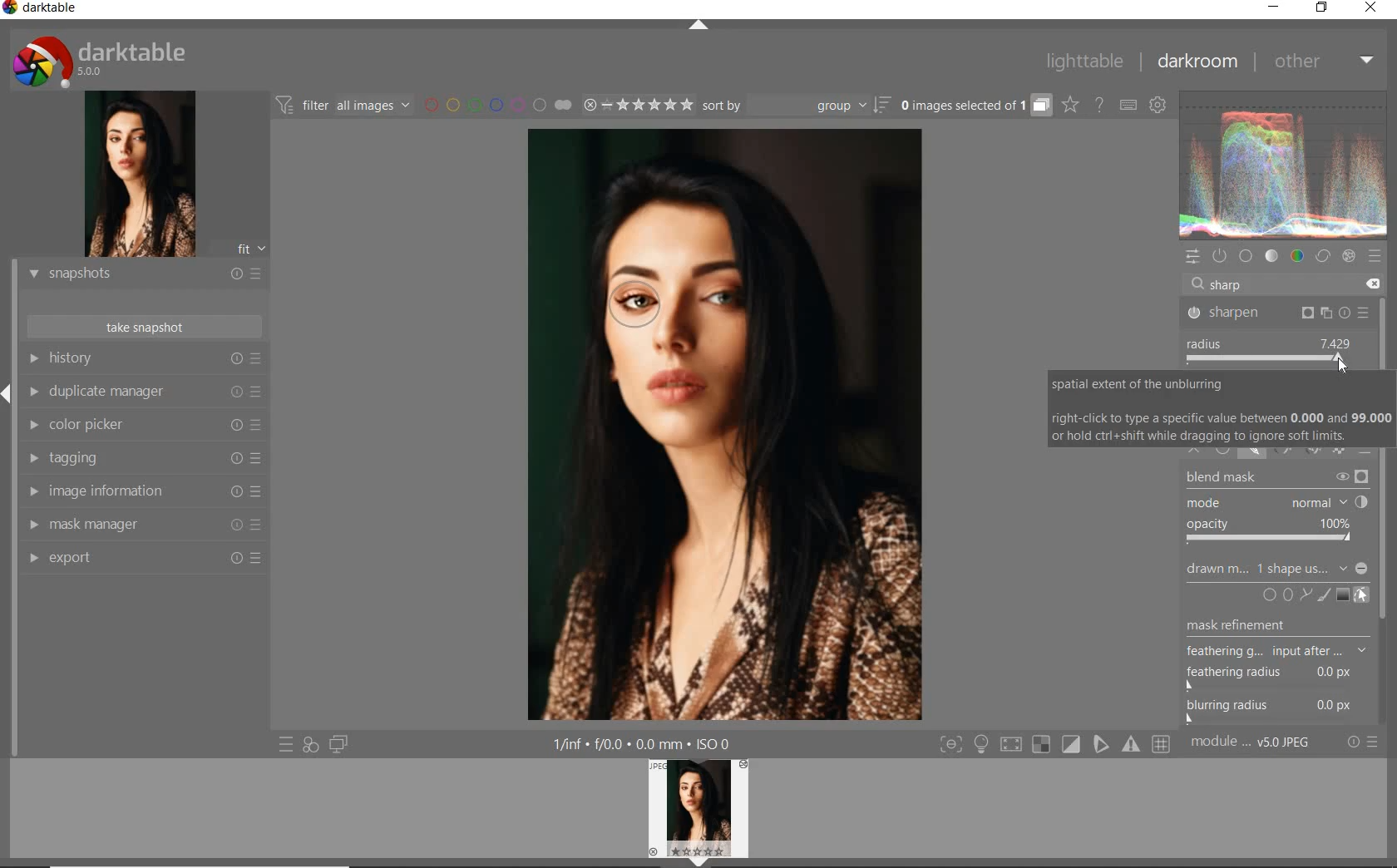 The width and height of the screenshot is (1397, 868). I want to click on enable online help, so click(1099, 106).